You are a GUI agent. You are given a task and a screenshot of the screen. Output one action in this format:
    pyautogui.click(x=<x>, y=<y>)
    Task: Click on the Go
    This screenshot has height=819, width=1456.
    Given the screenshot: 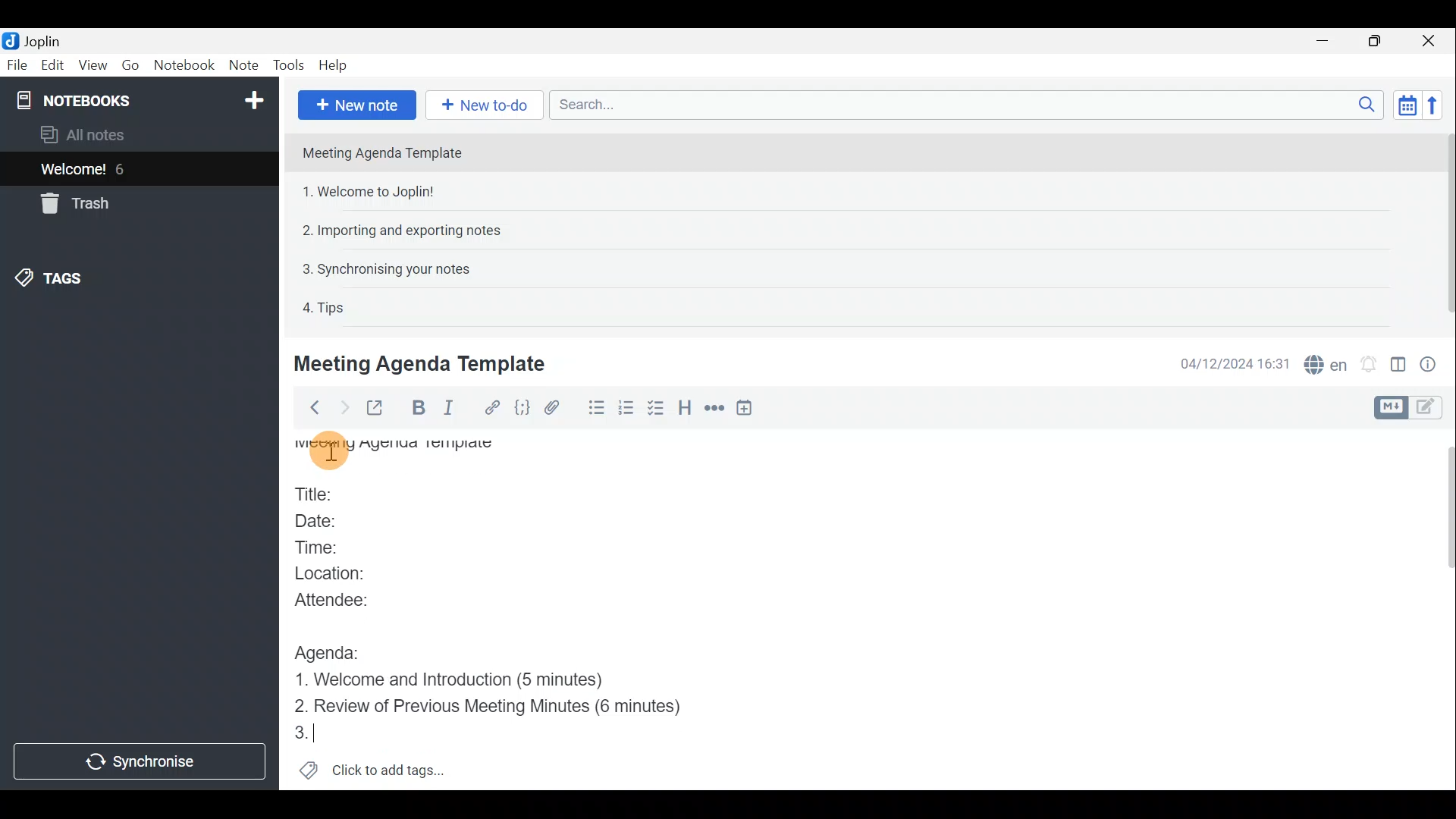 What is the action you would take?
    pyautogui.click(x=130, y=64)
    